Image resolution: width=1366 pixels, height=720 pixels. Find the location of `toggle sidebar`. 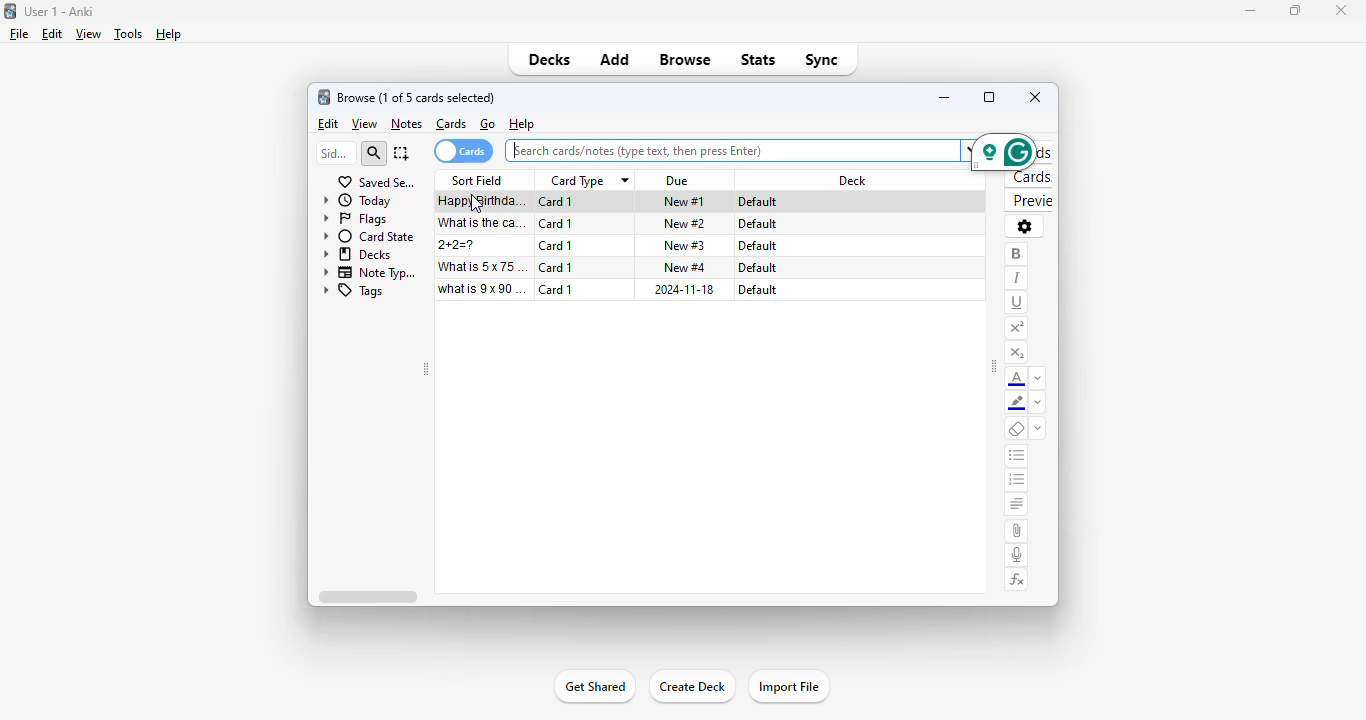

toggle sidebar is located at coordinates (426, 369).